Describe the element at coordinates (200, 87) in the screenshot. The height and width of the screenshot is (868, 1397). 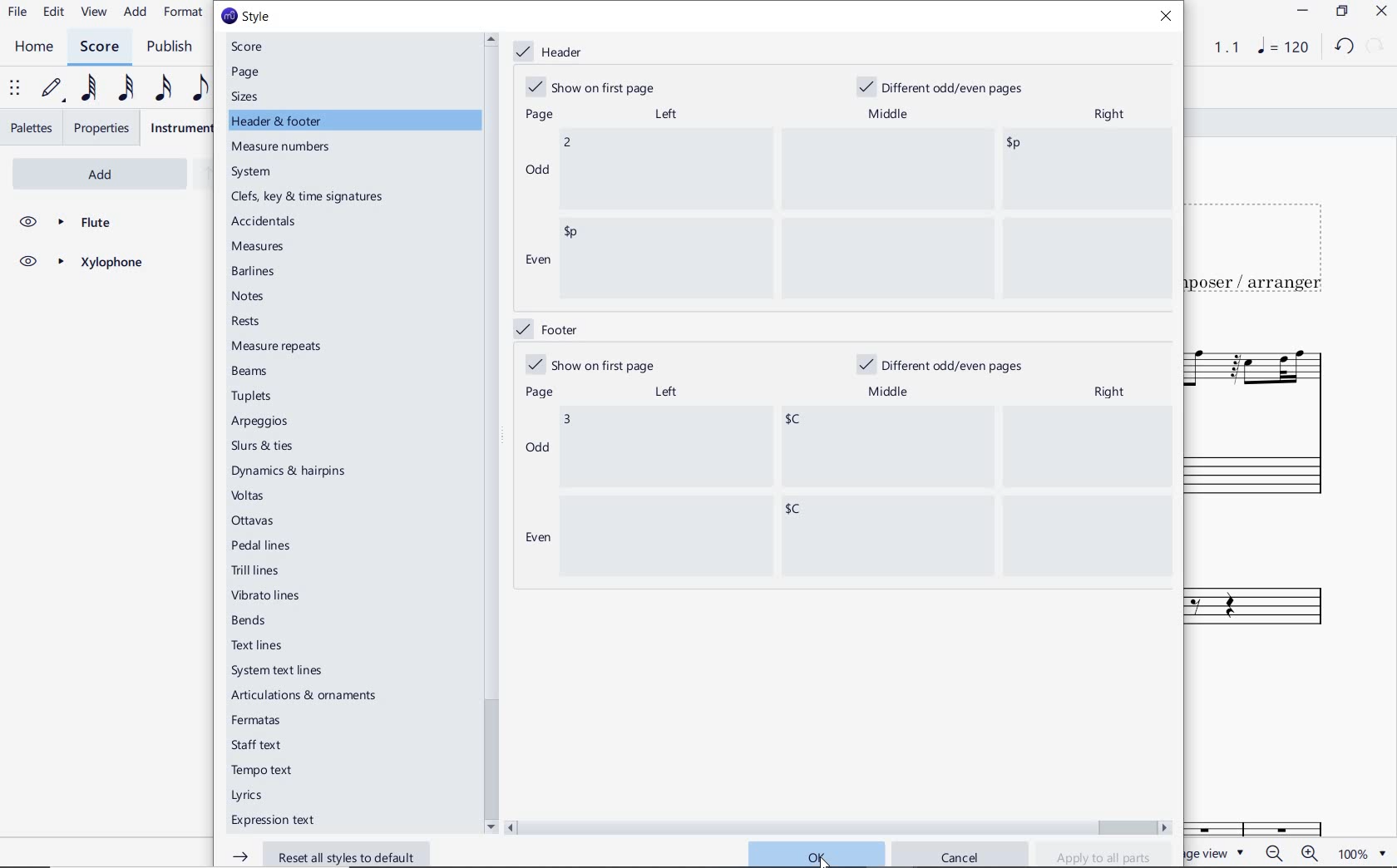
I see `EIGHTH NOTE` at that location.